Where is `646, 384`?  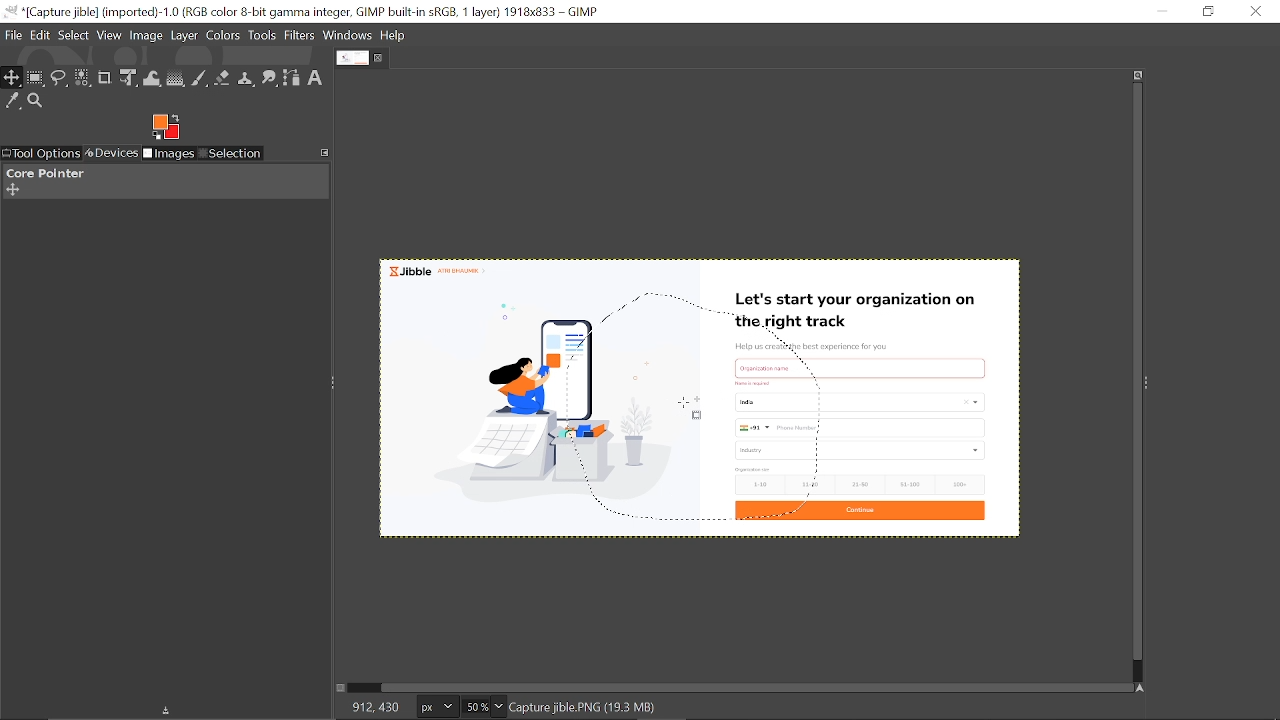
646, 384 is located at coordinates (376, 706).